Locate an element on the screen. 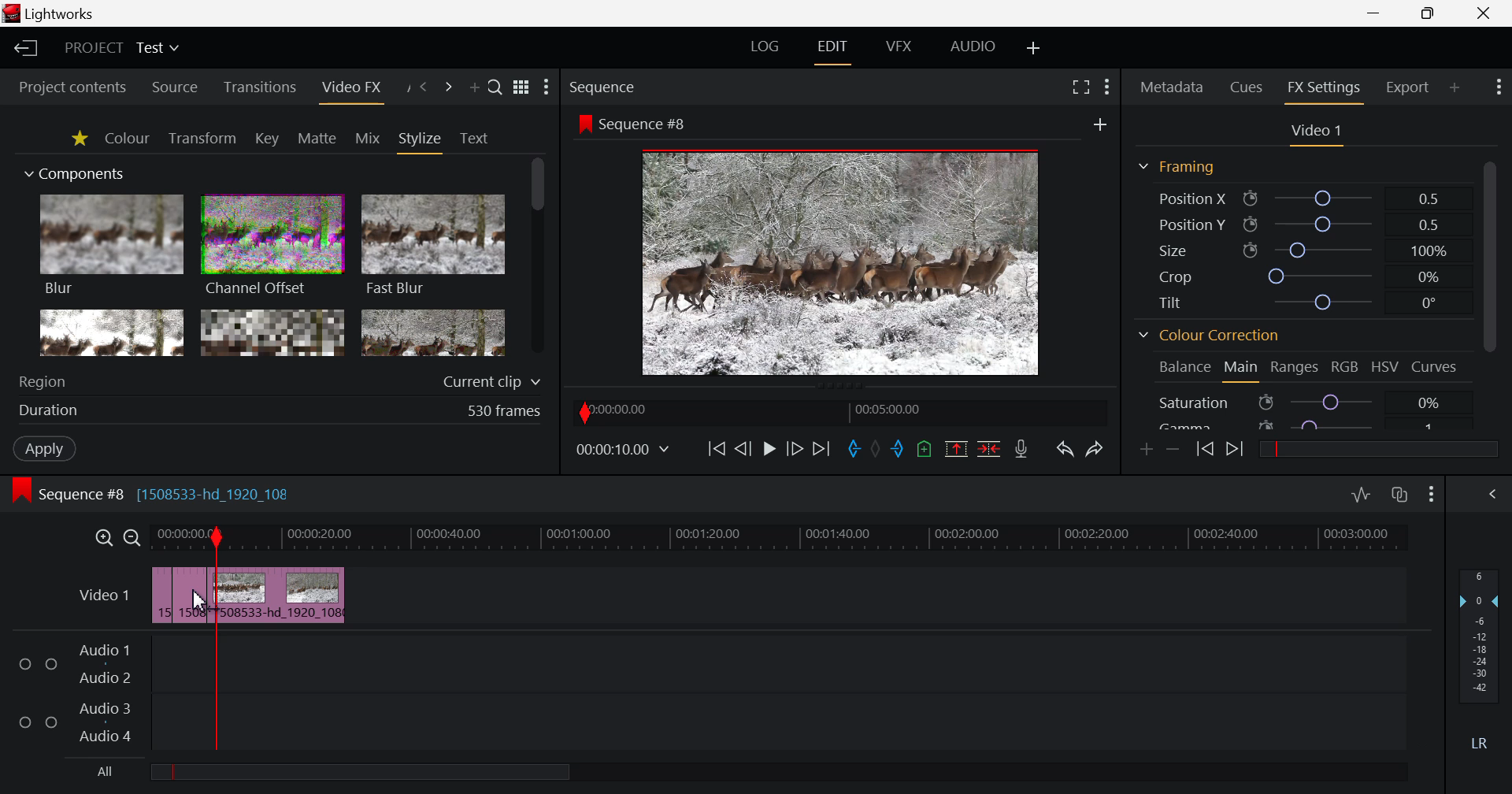  Full Screen is located at coordinates (1077, 90).